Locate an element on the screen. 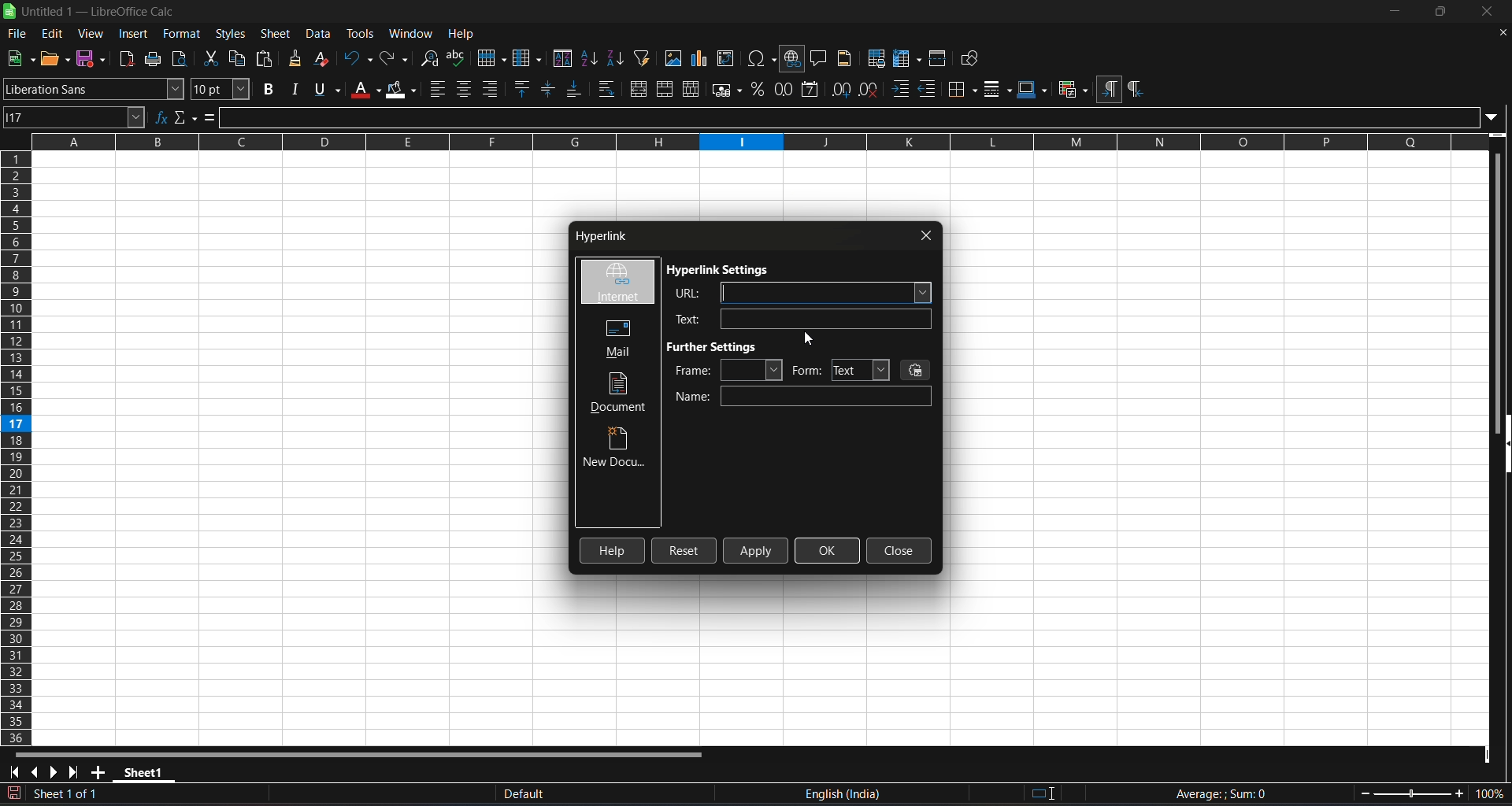  underline is located at coordinates (326, 89).